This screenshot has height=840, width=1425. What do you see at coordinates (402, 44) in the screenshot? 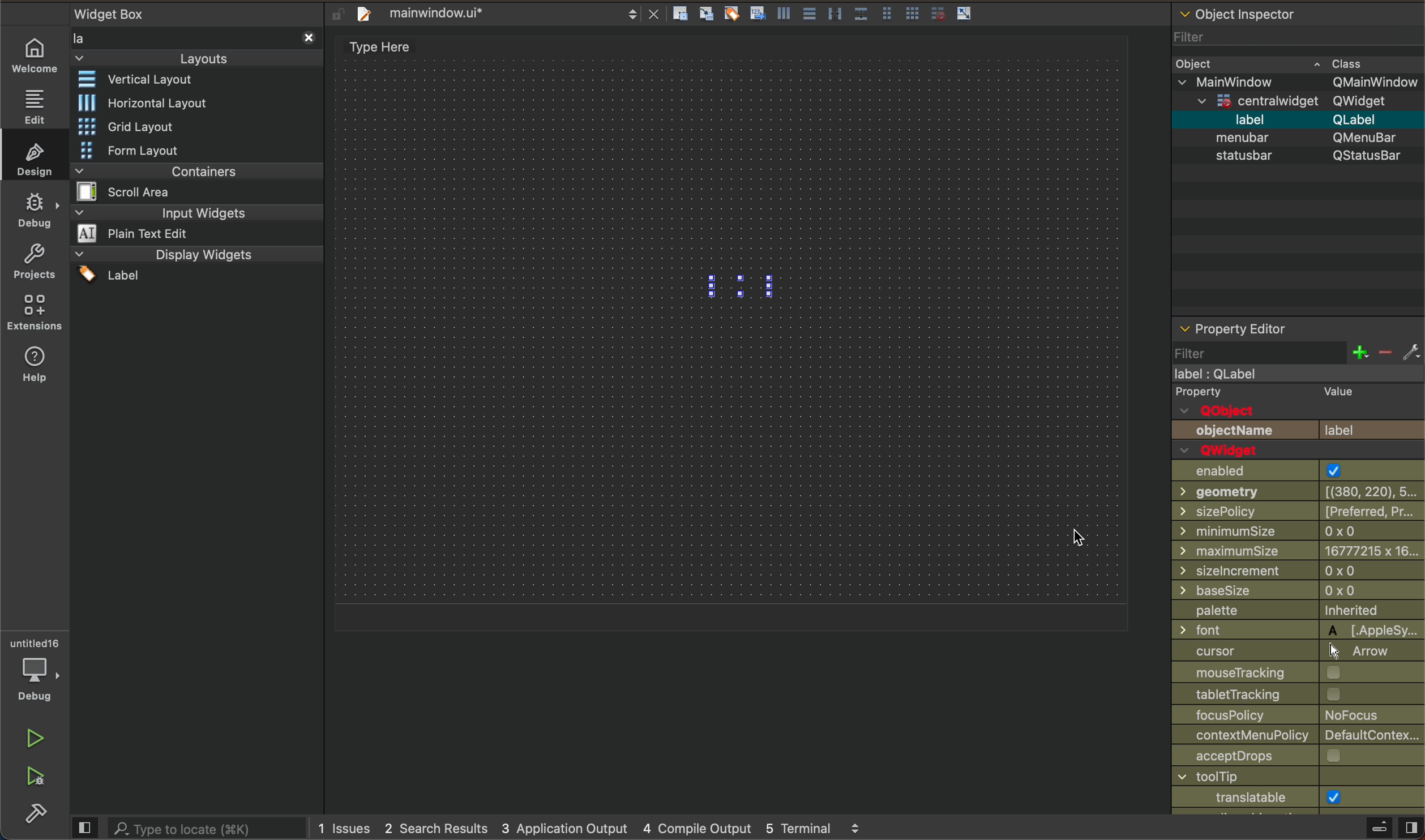
I see `type here` at bounding box center [402, 44].